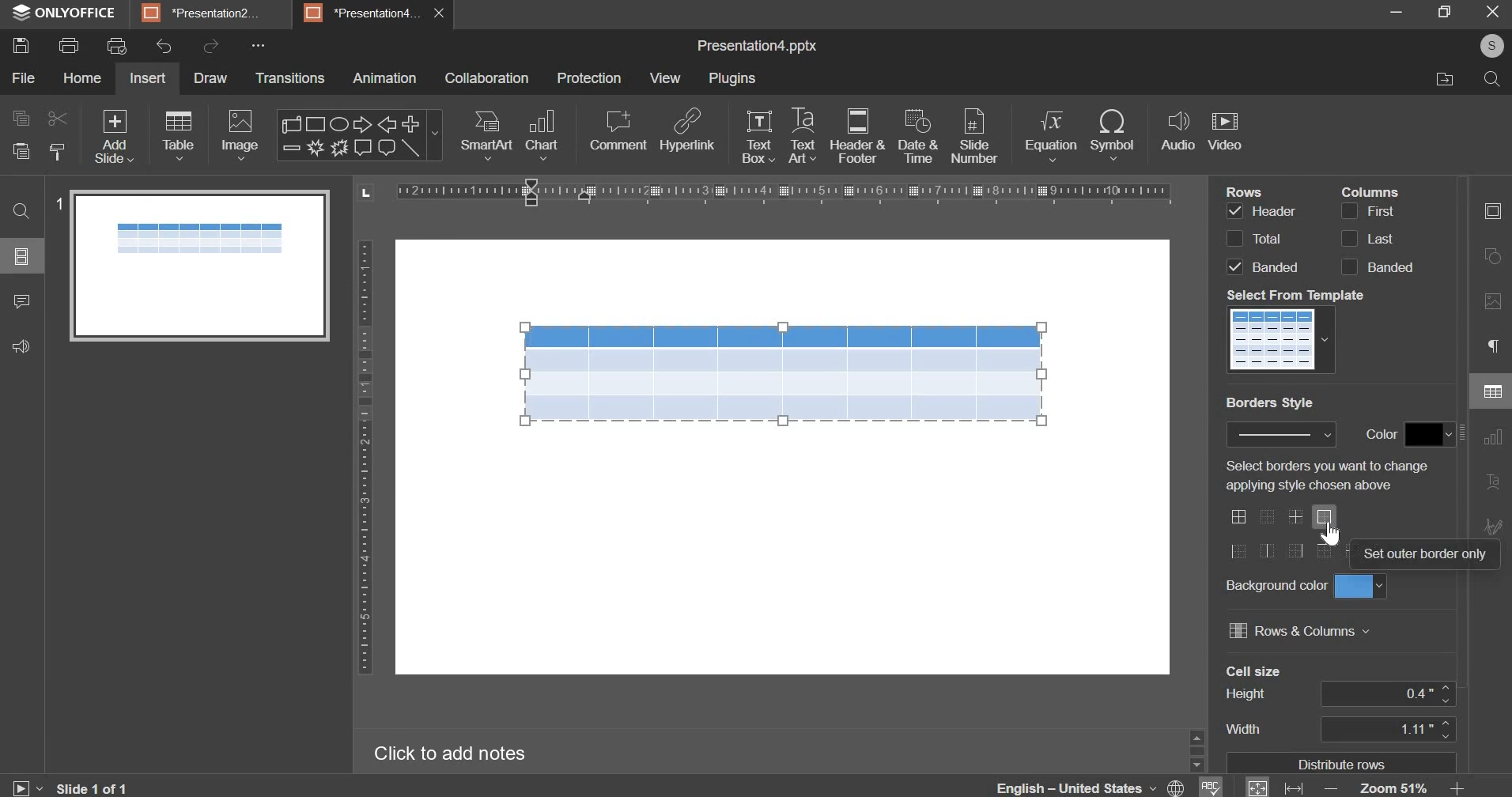 Image resolution: width=1512 pixels, height=797 pixels. What do you see at coordinates (1275, 213) in the screenshot?
I see `header` at bounding box center [1275, 213].